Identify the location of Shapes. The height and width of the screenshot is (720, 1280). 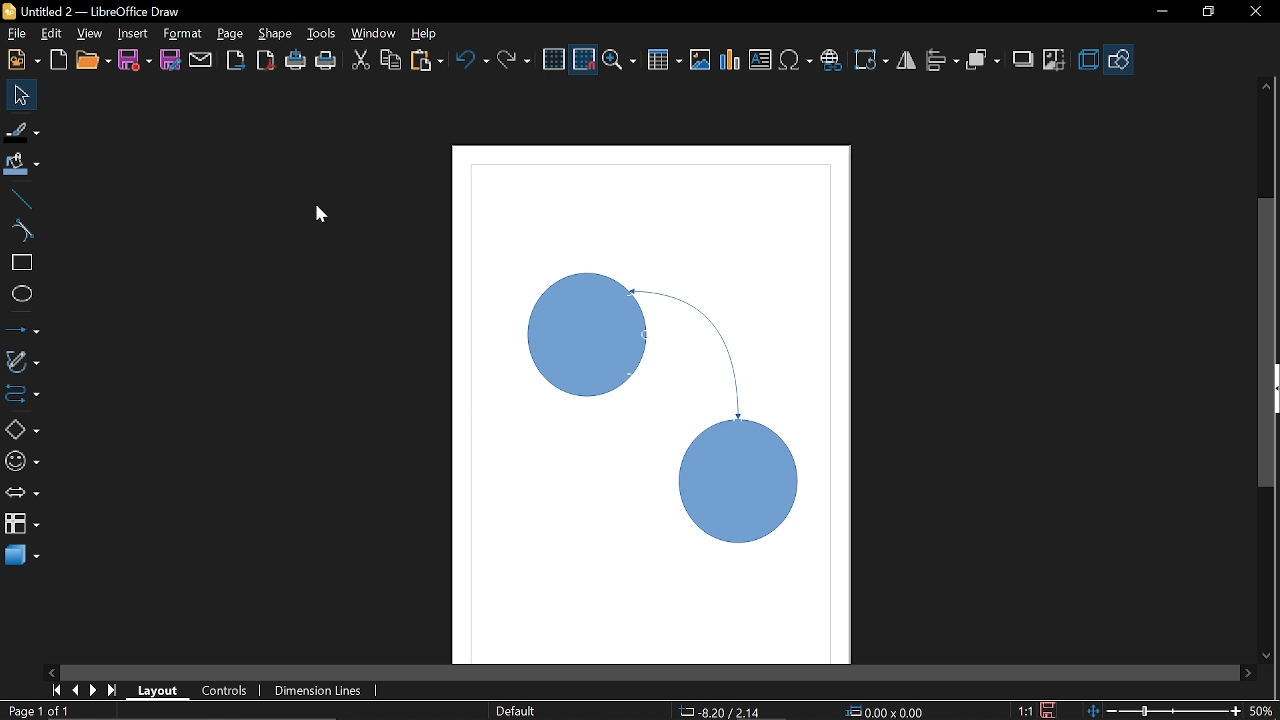
(1121, 58).